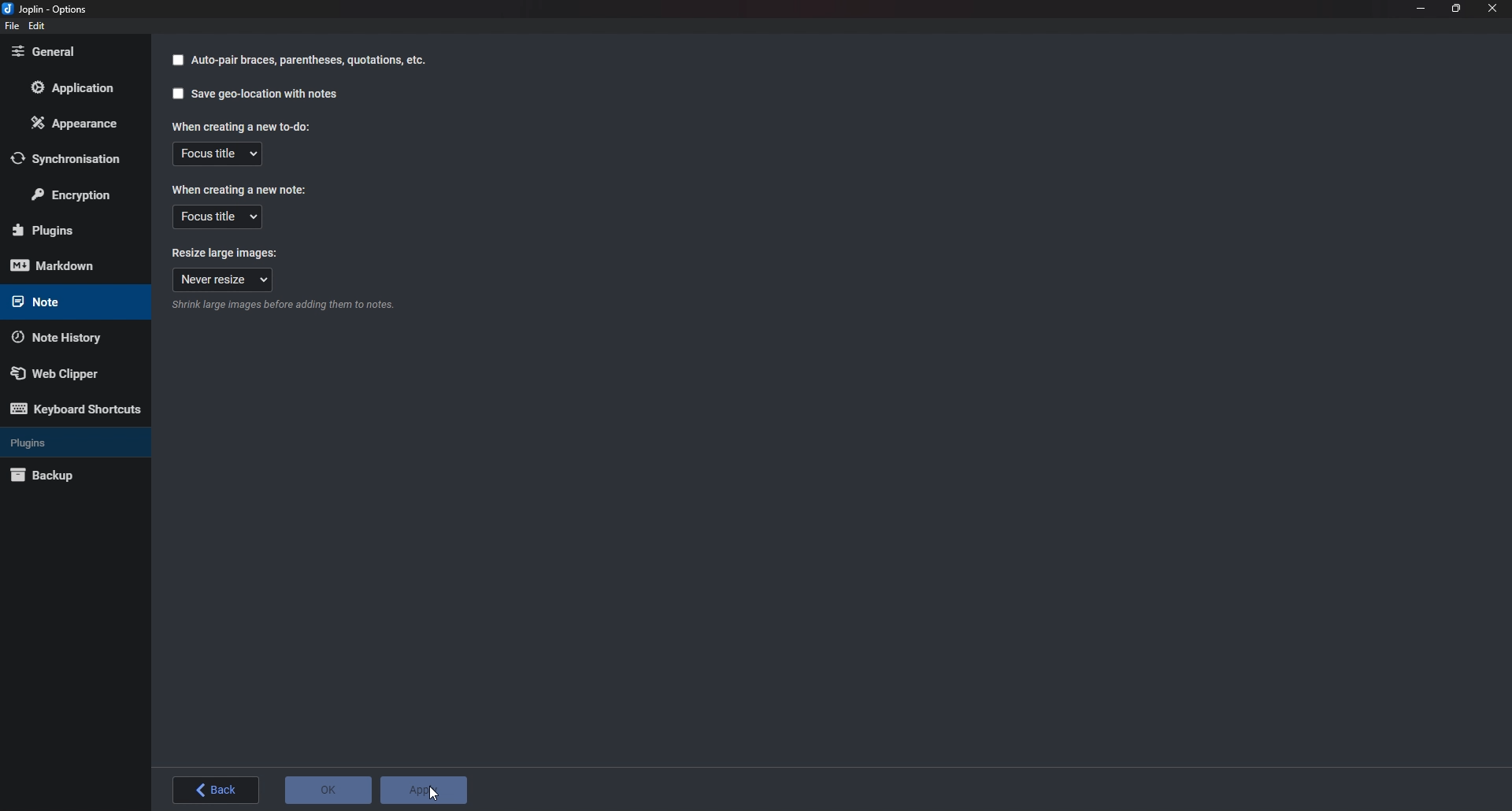  I want to click on close, so click(1492, 8).